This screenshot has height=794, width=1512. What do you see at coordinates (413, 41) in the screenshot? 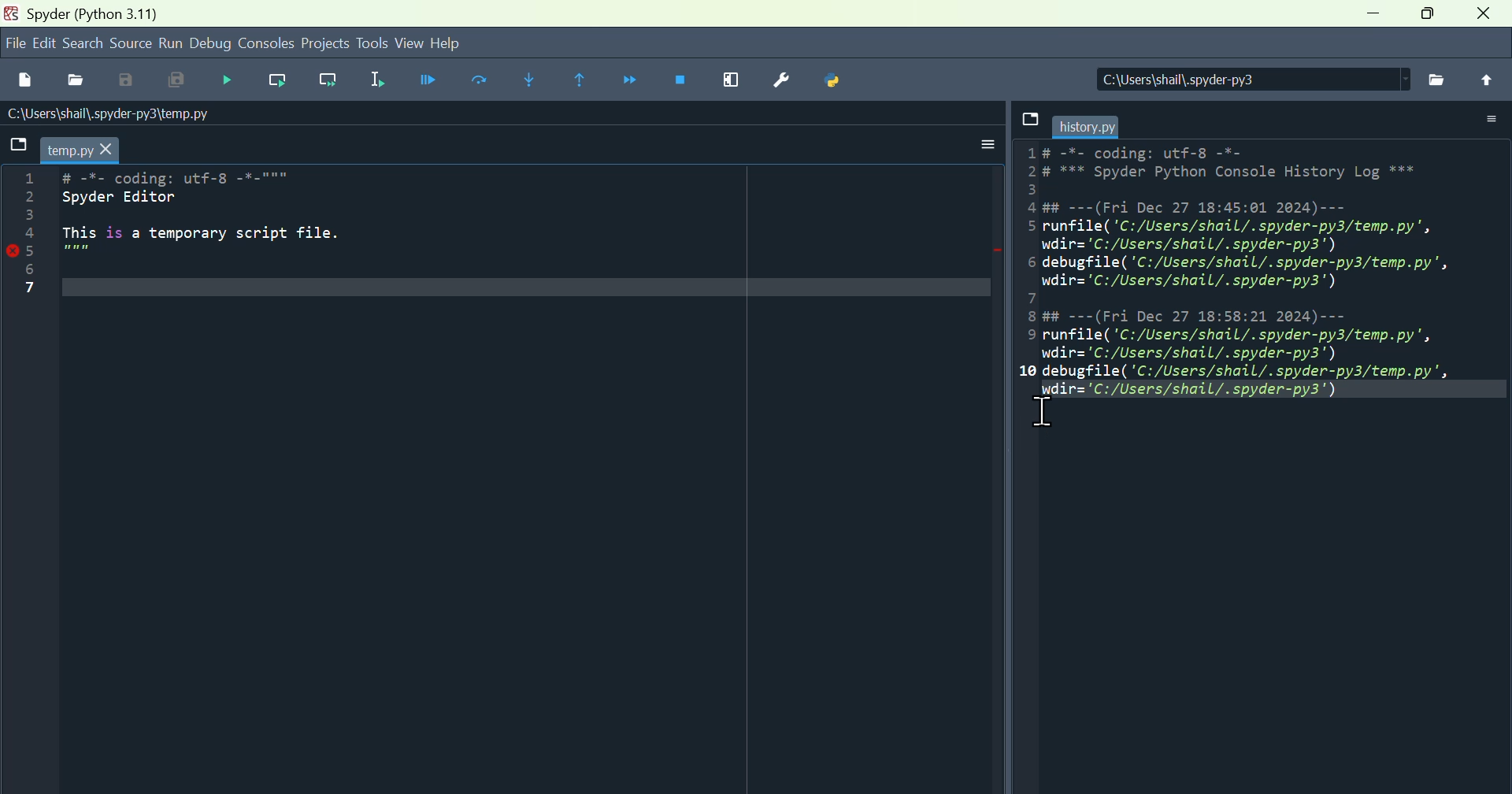
I see `View` at bounding box center [413, 41].